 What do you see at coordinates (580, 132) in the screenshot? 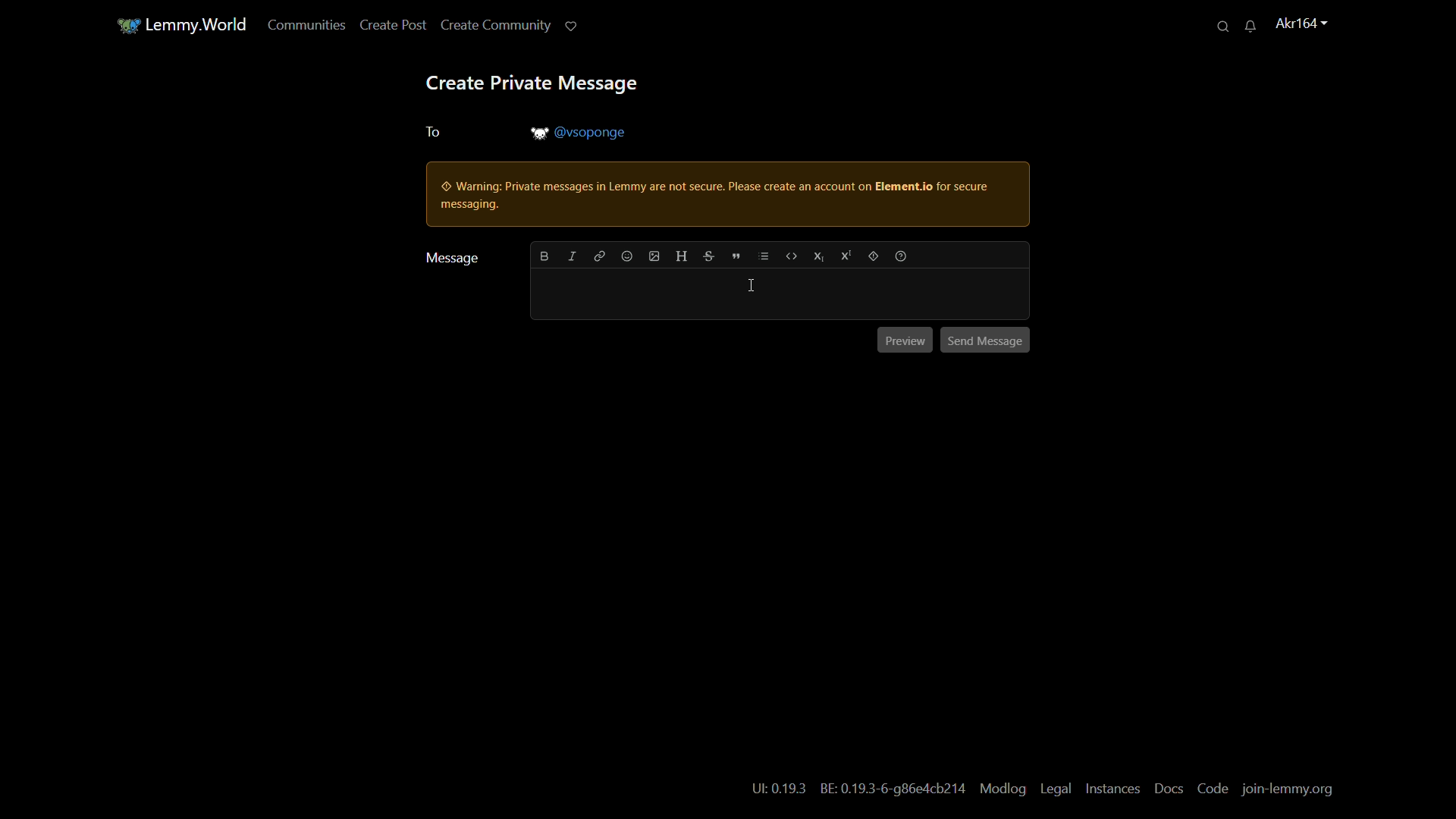
I see `username` at bounding box center [580, 132].